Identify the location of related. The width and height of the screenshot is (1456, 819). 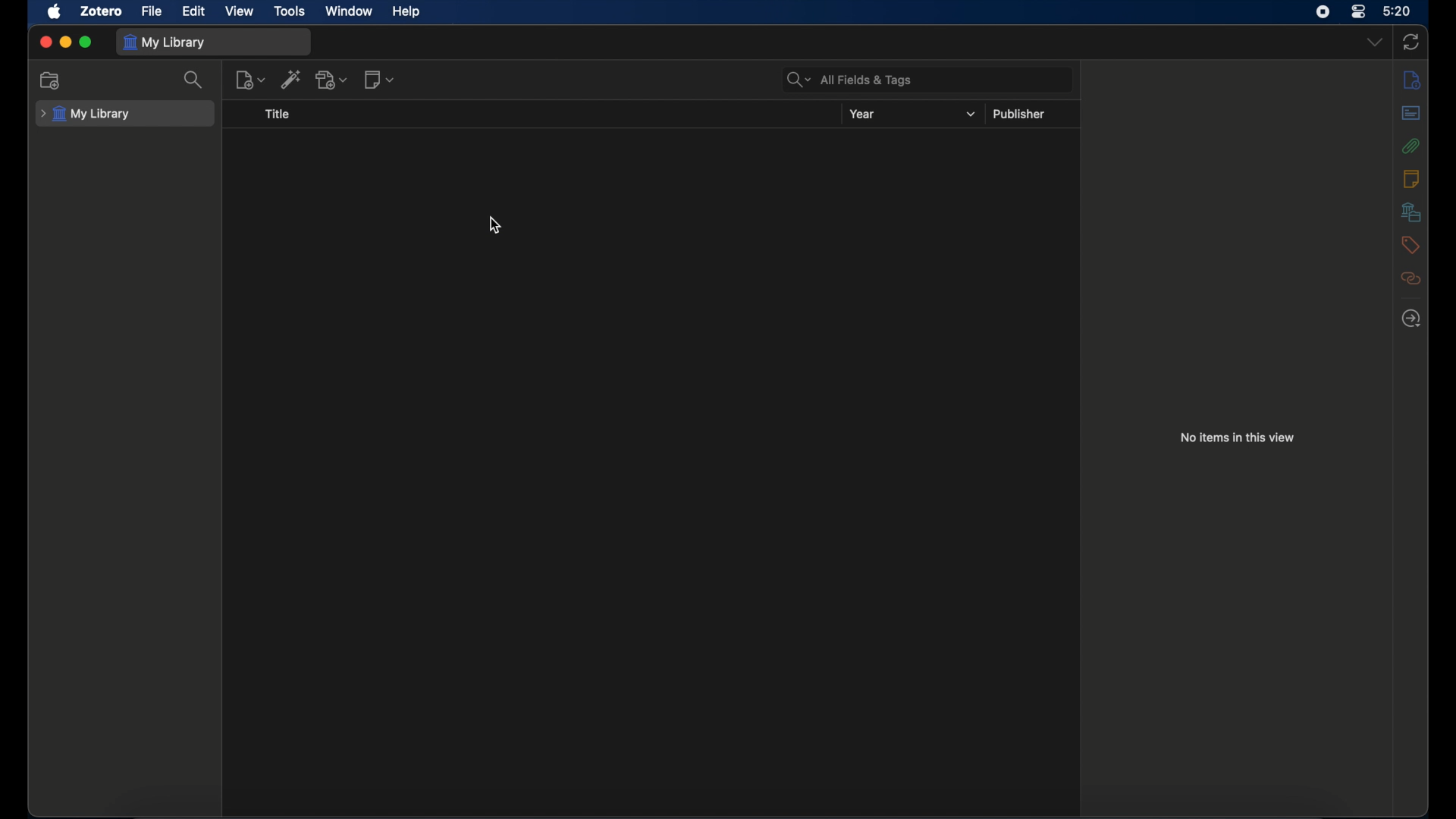
(1411, 278).